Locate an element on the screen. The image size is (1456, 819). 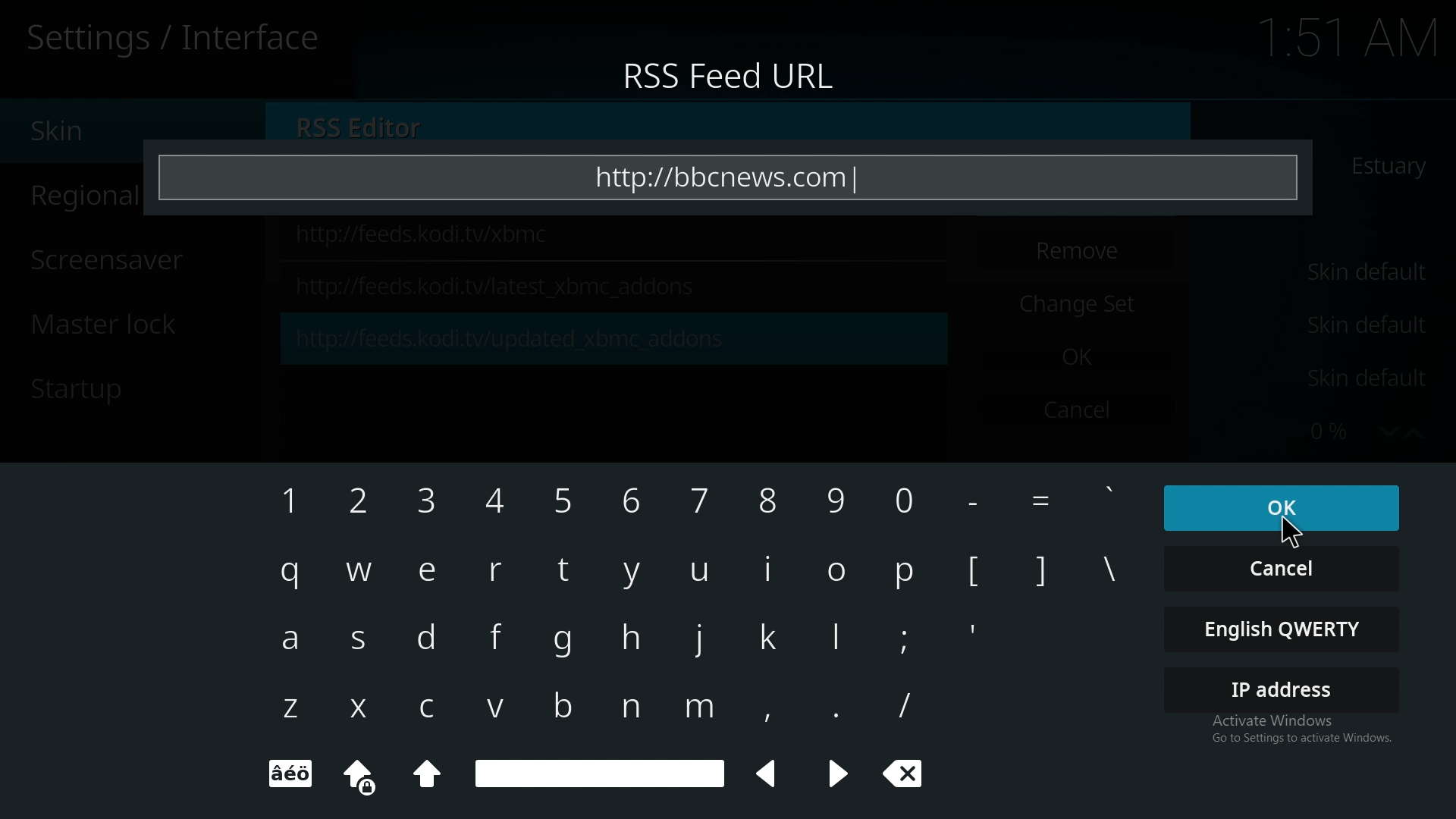
keyboard Input is located at coordinates (700, 710).